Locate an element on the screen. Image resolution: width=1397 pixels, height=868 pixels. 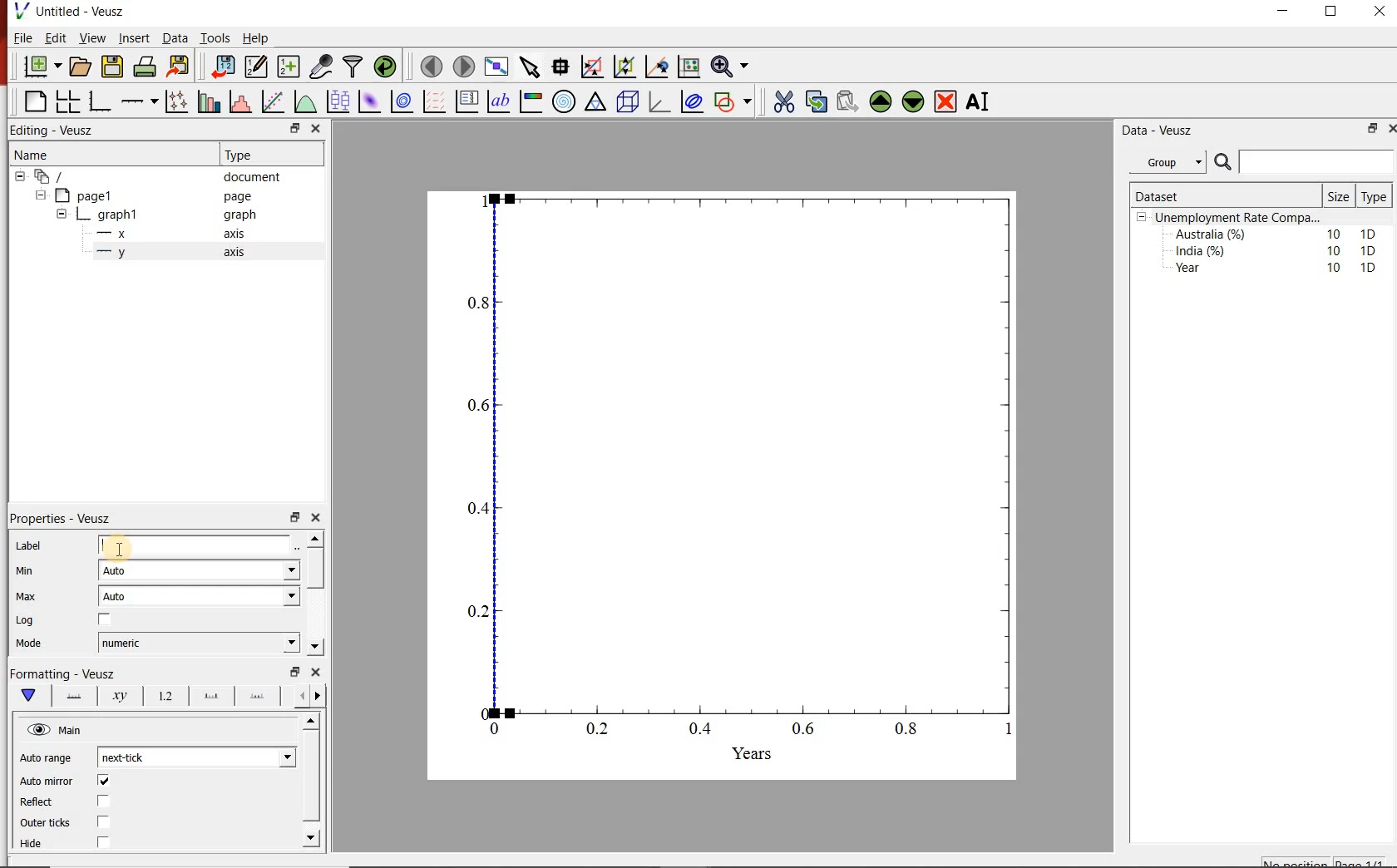
import document is located at coordinates (225, 65).